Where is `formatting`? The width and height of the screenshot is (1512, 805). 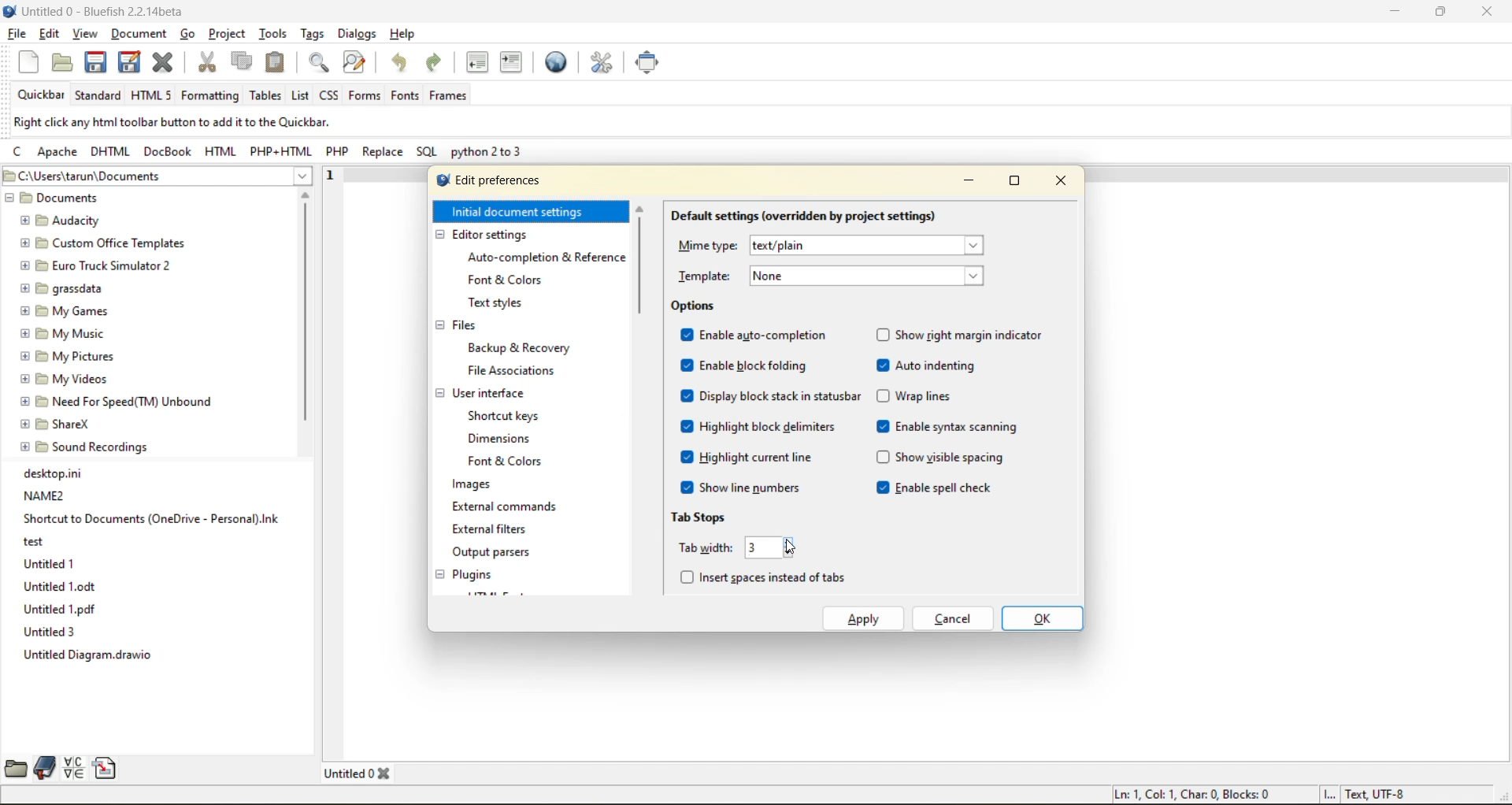
formatting is located at coordinates (210, 97).